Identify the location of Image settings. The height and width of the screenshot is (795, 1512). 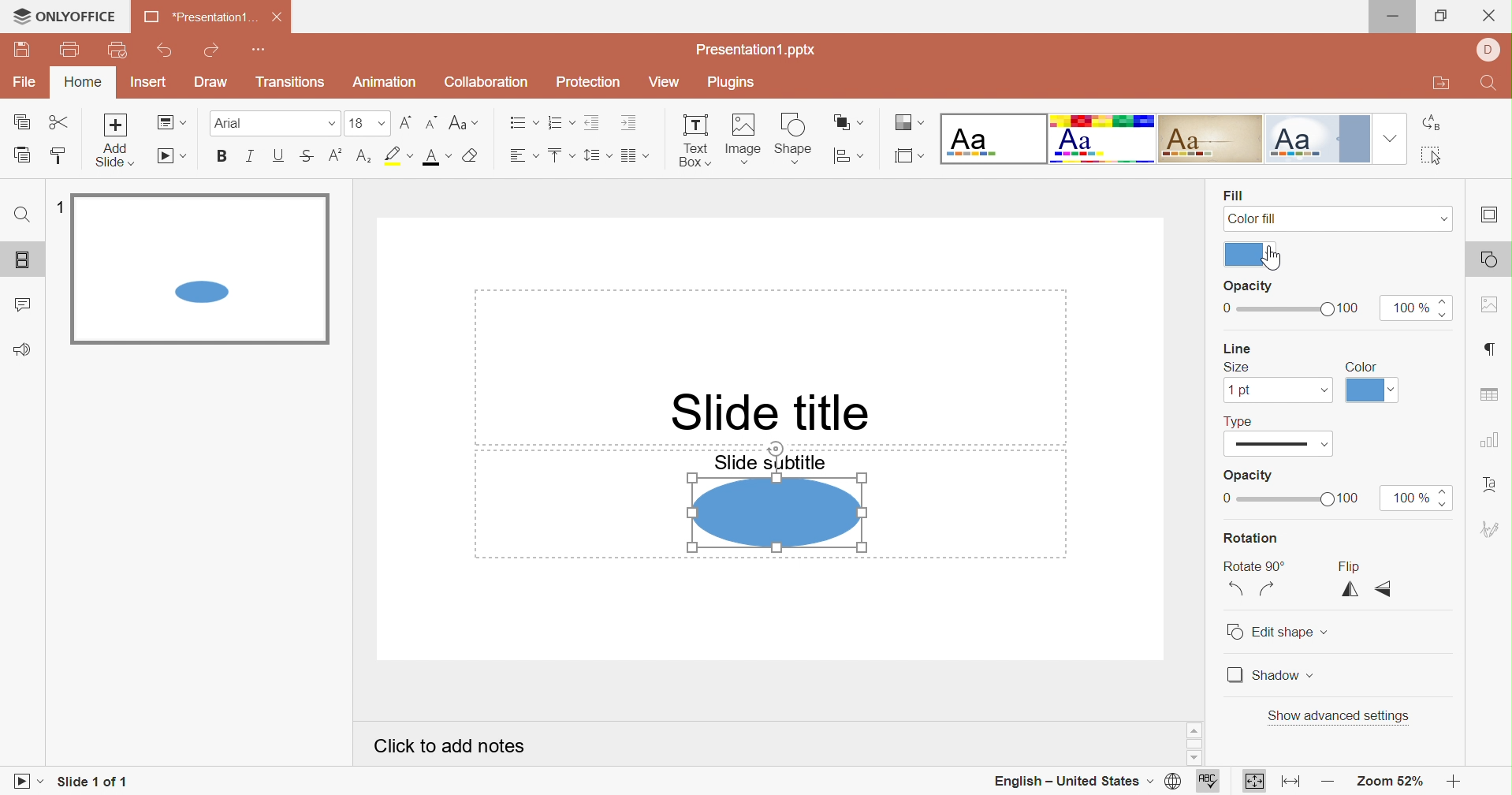
(1492, 305).